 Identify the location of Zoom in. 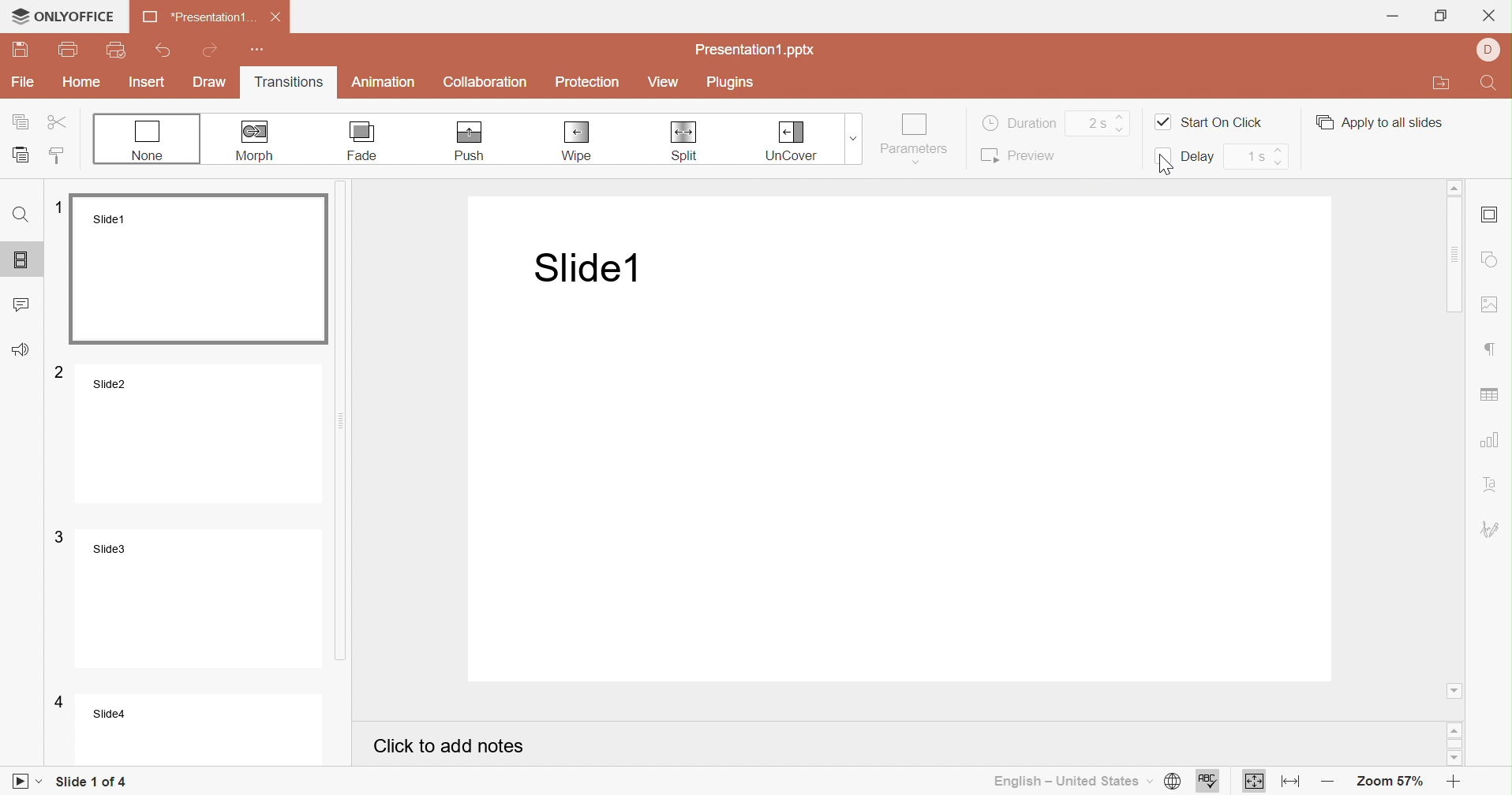
(1454, 784).